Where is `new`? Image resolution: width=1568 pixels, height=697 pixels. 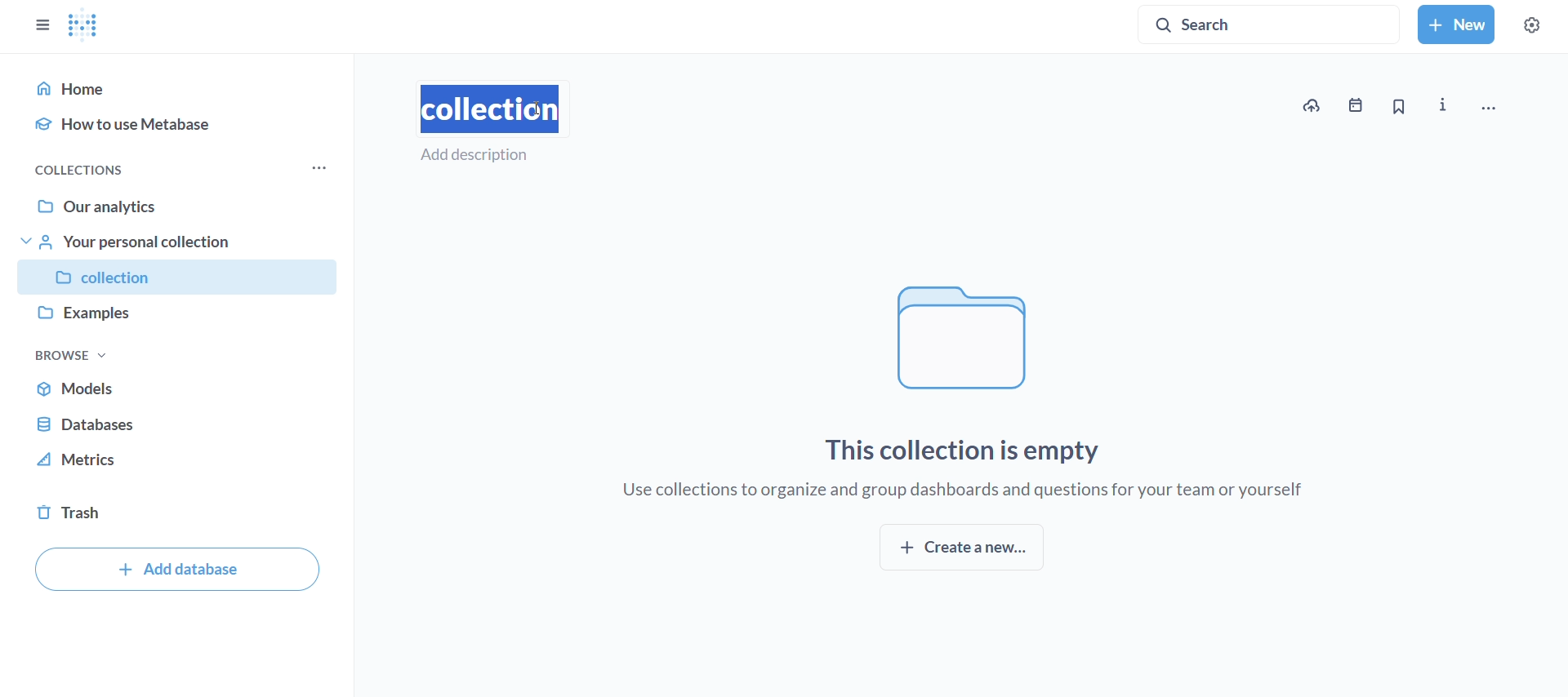 new is located at coordinates (1456, 24).